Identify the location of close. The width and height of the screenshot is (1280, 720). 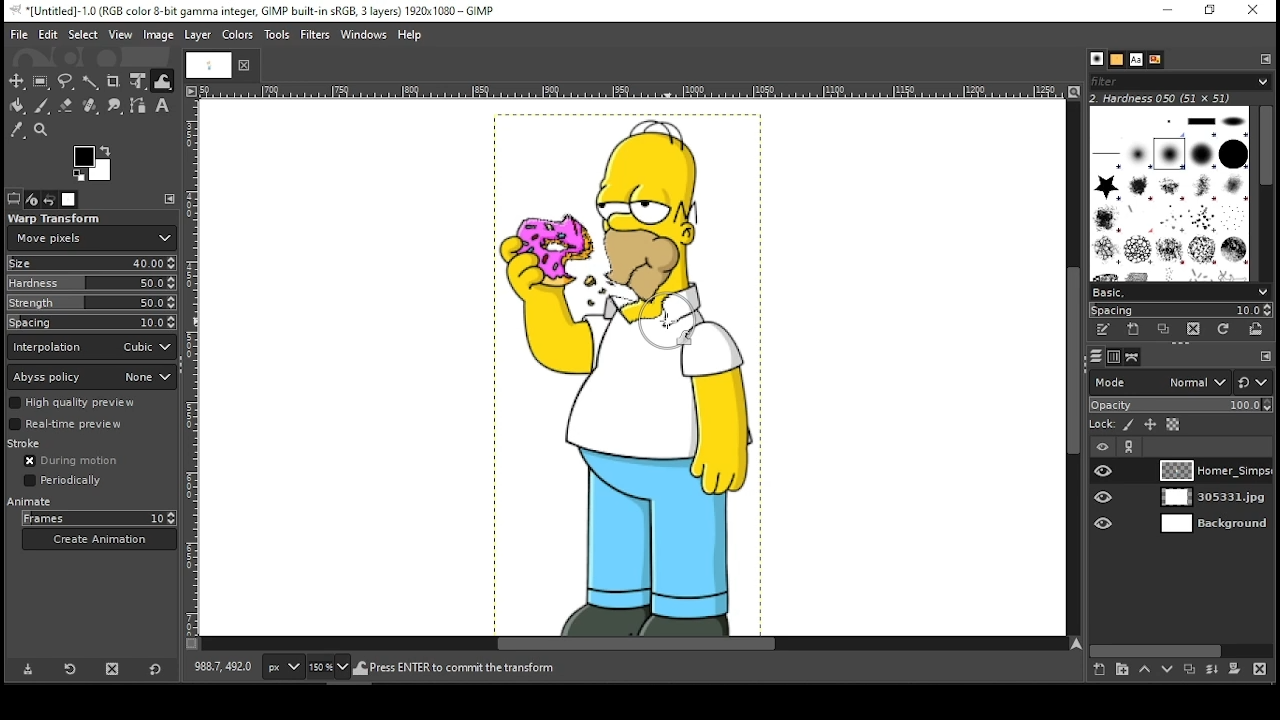
(250, 63).